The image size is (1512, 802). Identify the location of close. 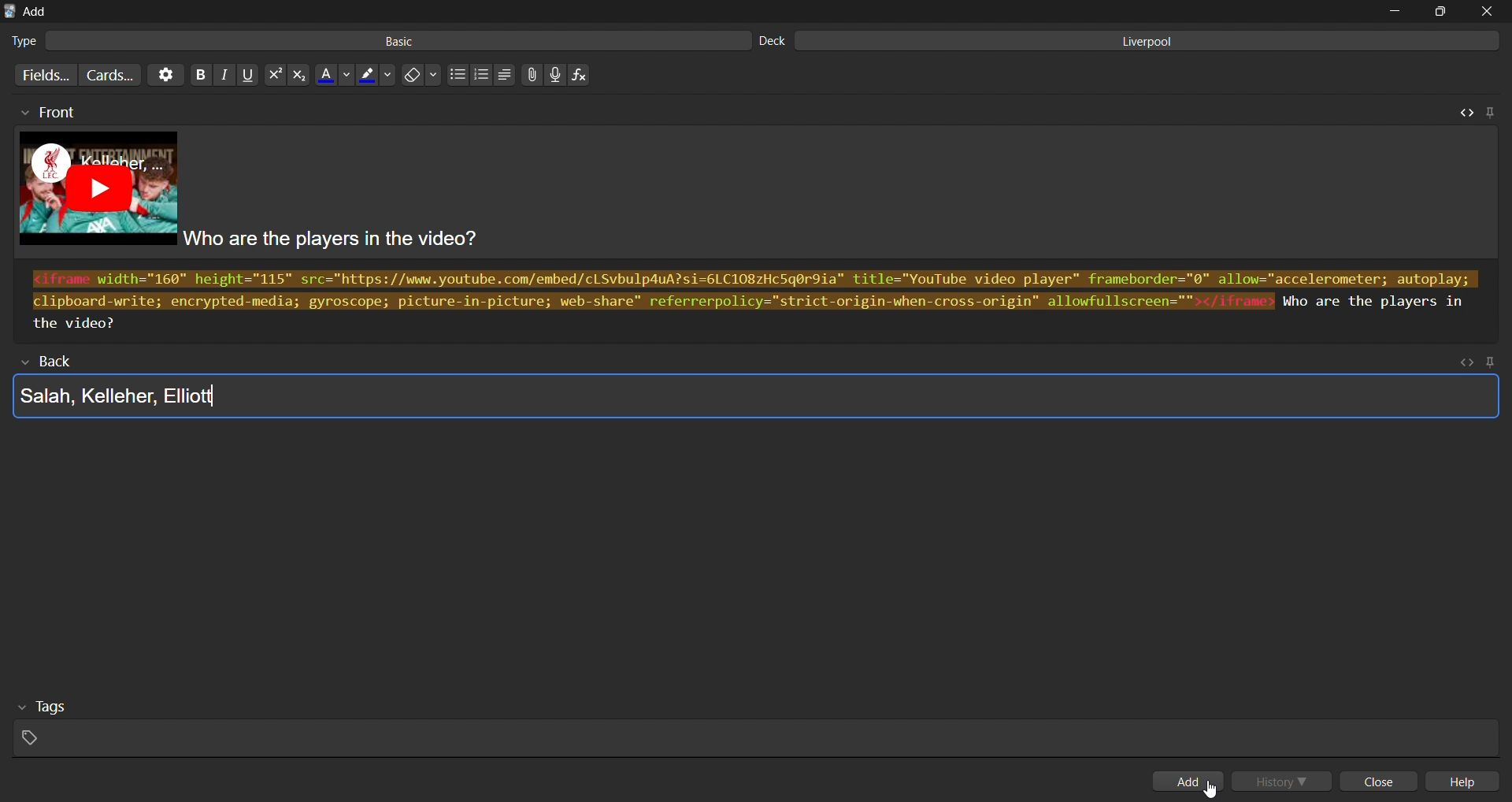
(1383, 782).